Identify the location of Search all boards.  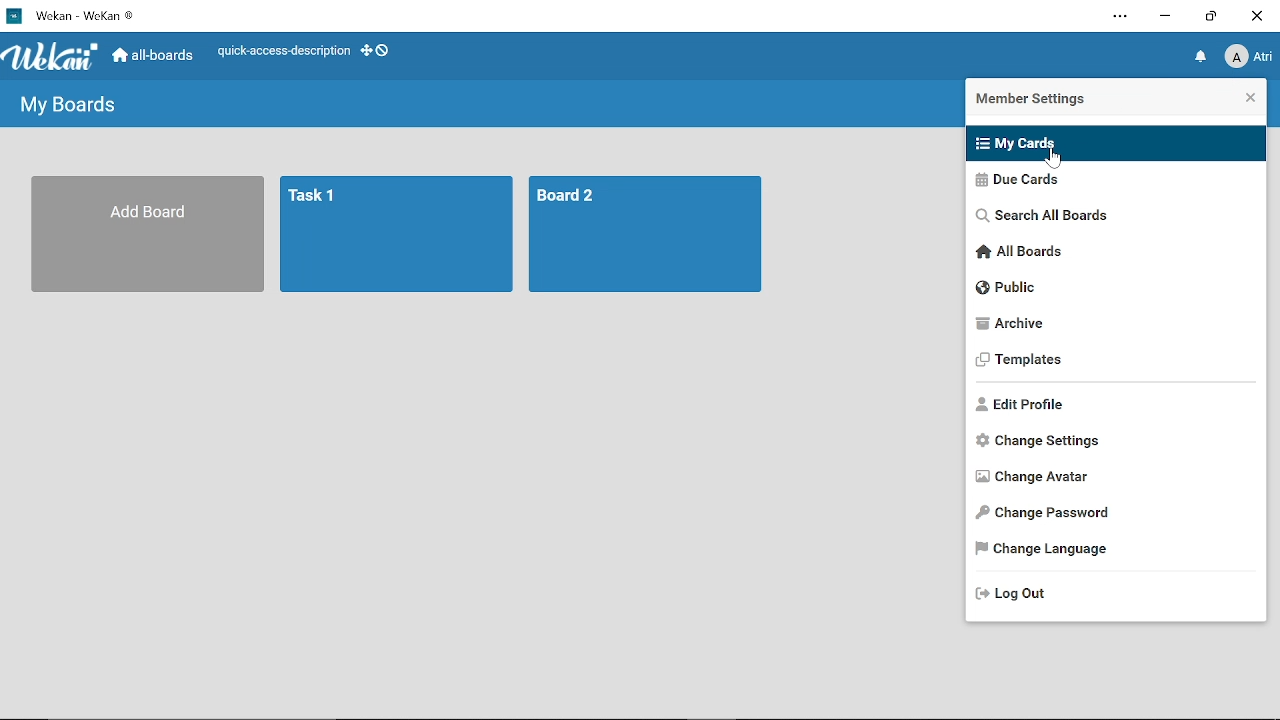
(1110, 218).